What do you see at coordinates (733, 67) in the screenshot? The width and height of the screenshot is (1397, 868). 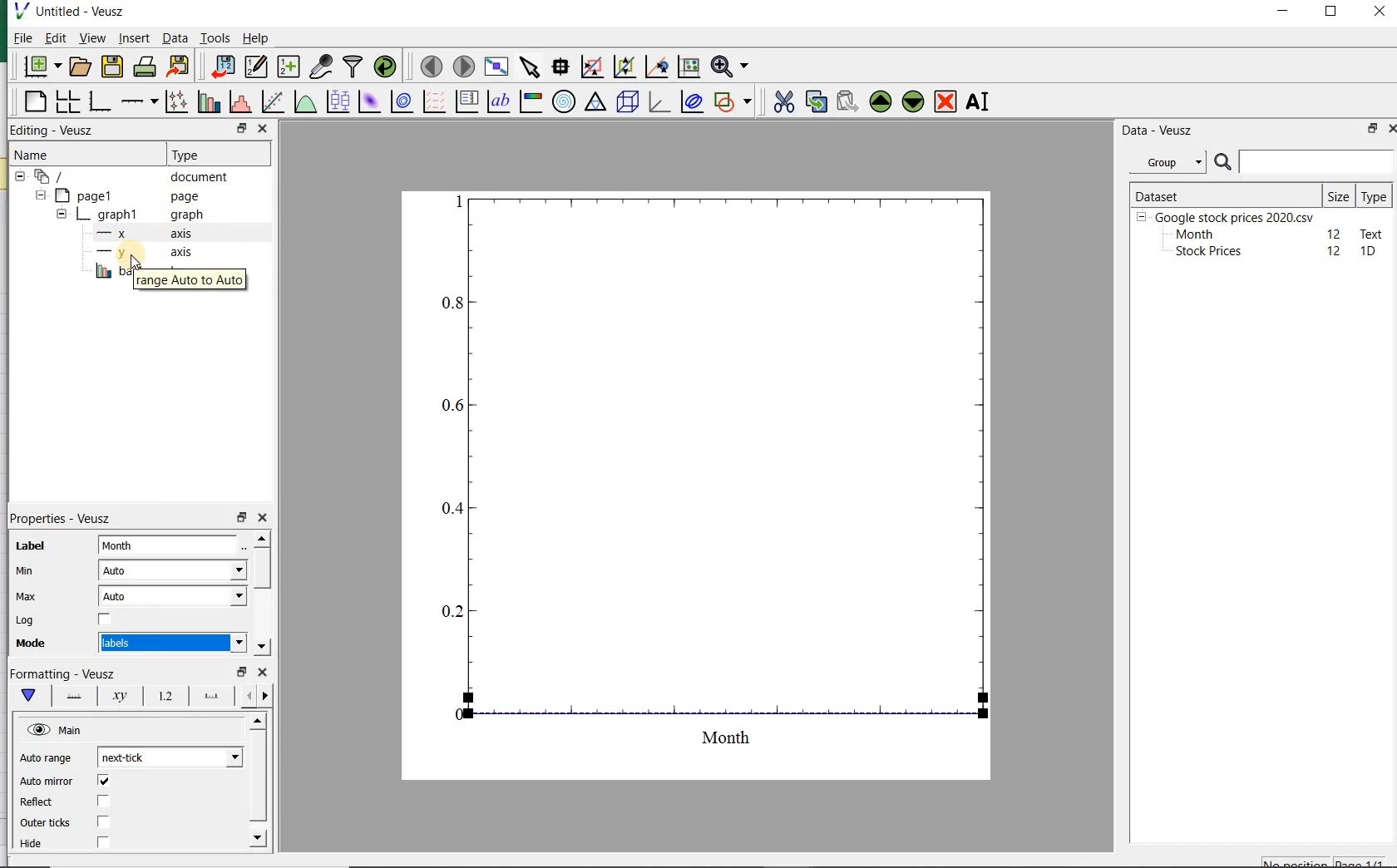 I see `zoom function menus` at bounding box center [733, 67].